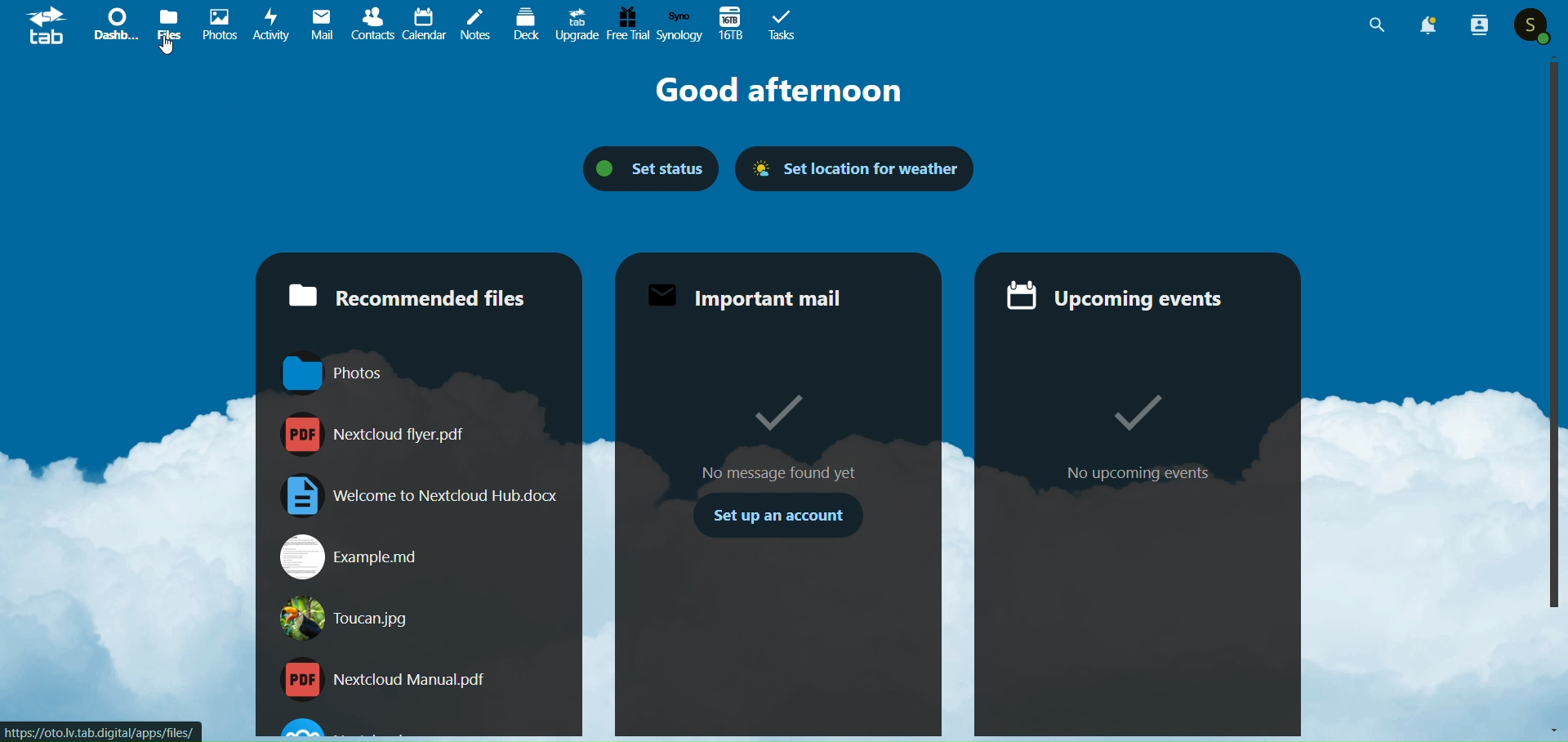 The width and height of the screenshot is (1568, 742). I want to click on Tick mark, so click(1136, 413).